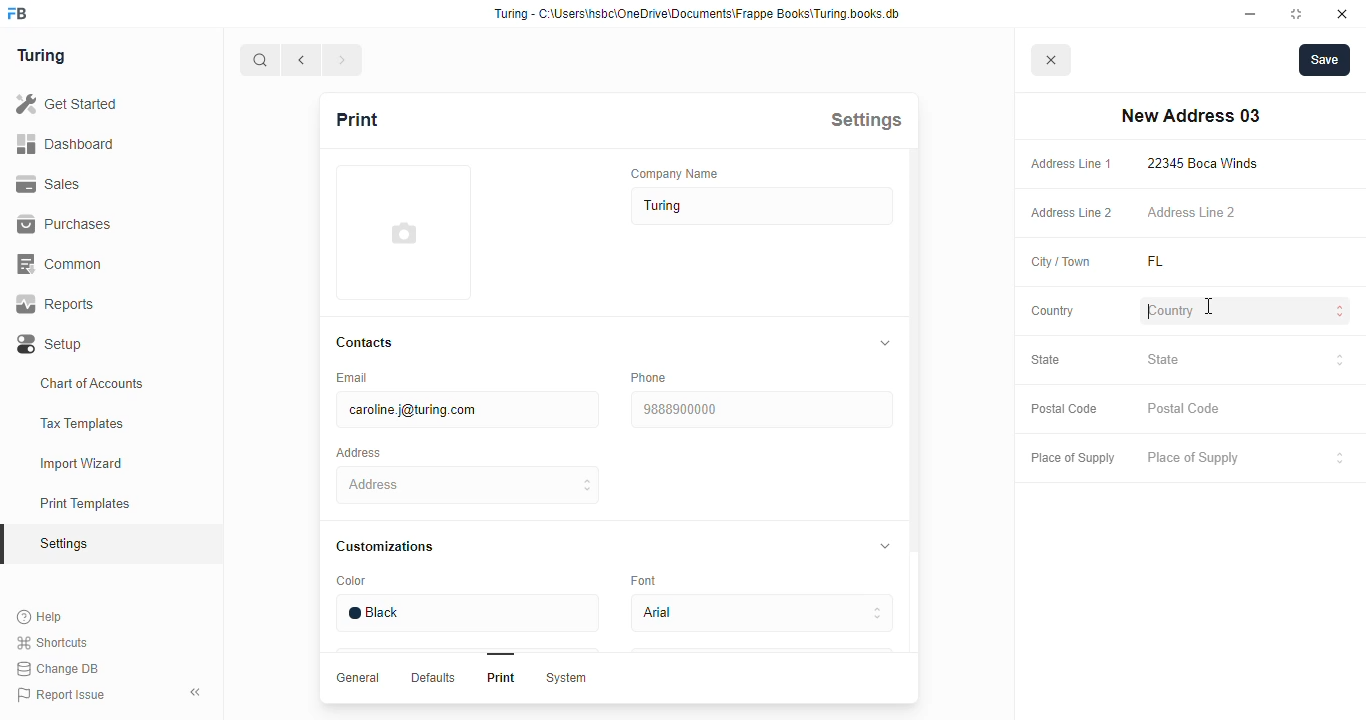 Image resolution: width=1366 pixels, height=720 pixels. I want to click on close, so click(1342, 14).